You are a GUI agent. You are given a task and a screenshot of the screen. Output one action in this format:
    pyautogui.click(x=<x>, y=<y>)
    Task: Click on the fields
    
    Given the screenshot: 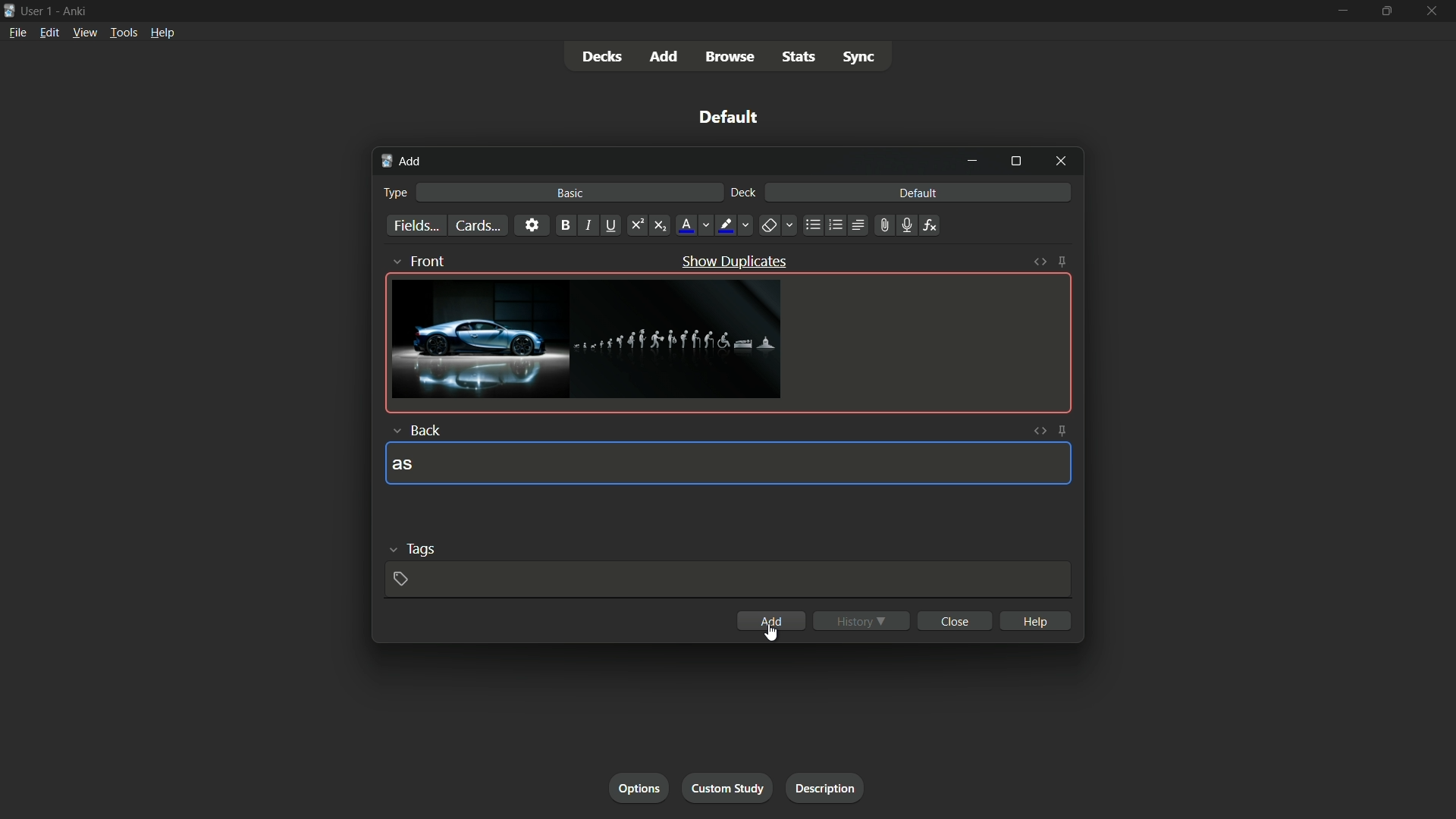 What is the action you would take?
    pyautogui.click(x=416, y=227)
    